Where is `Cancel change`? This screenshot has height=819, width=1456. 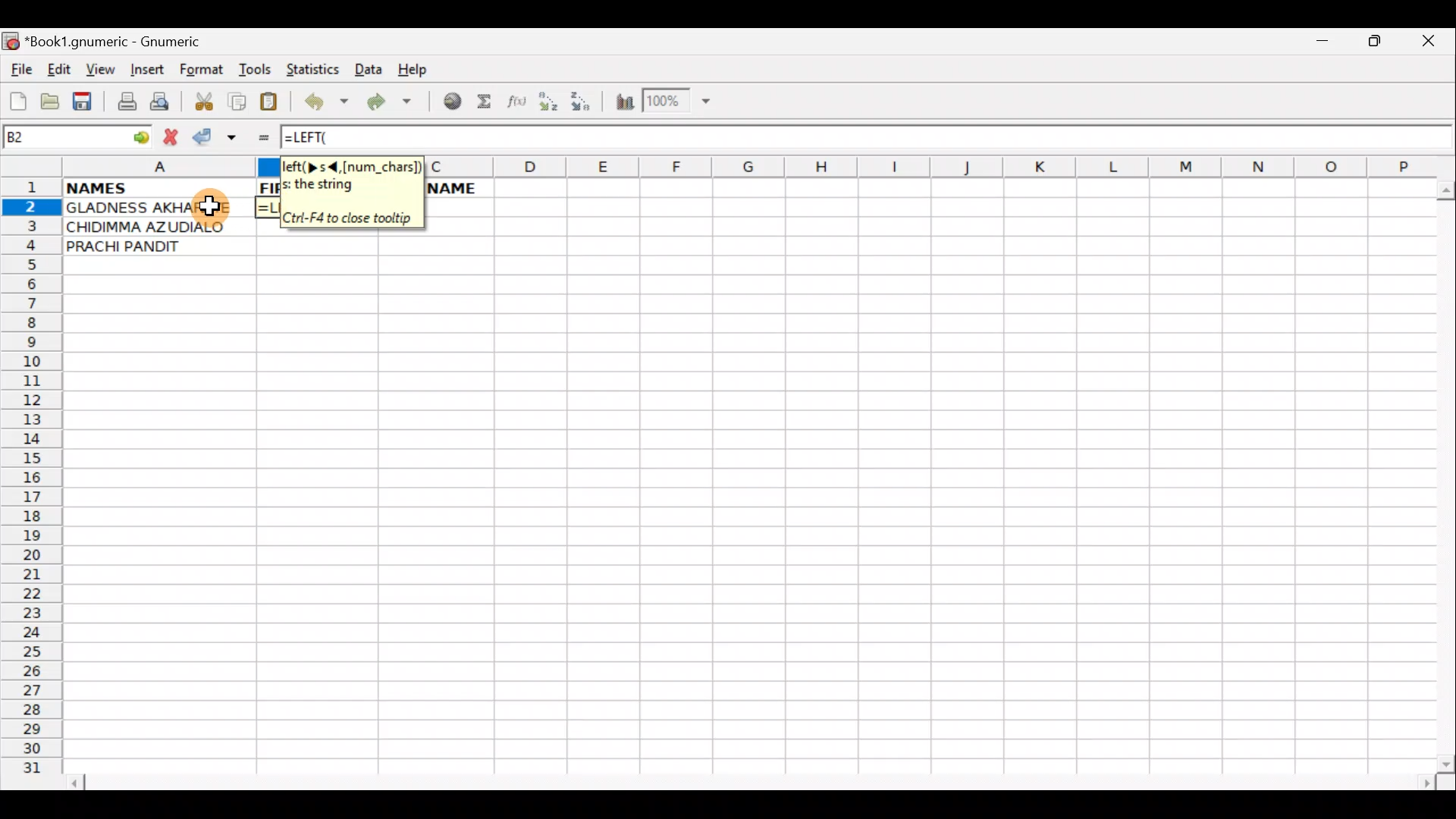 Cancel change is located at coordinates (174, 134).